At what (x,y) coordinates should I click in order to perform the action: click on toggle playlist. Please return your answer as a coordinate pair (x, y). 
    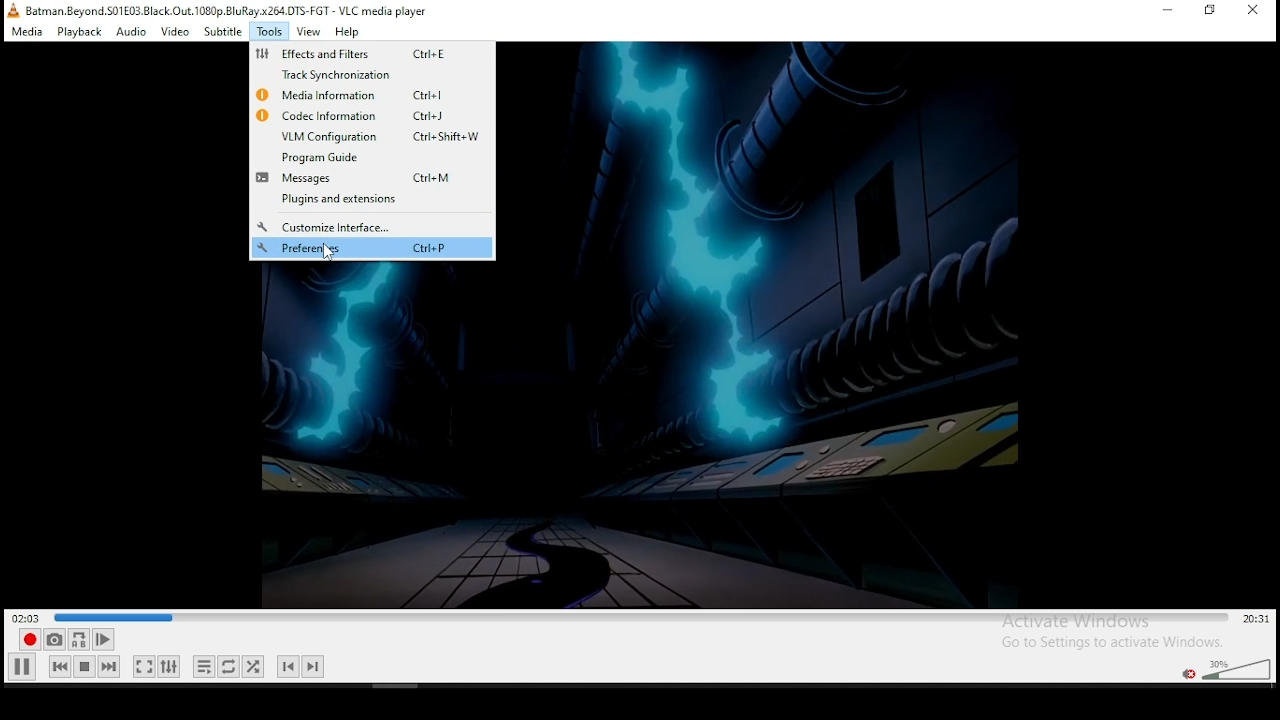
    Looking at the image, I should click on (204, 668).